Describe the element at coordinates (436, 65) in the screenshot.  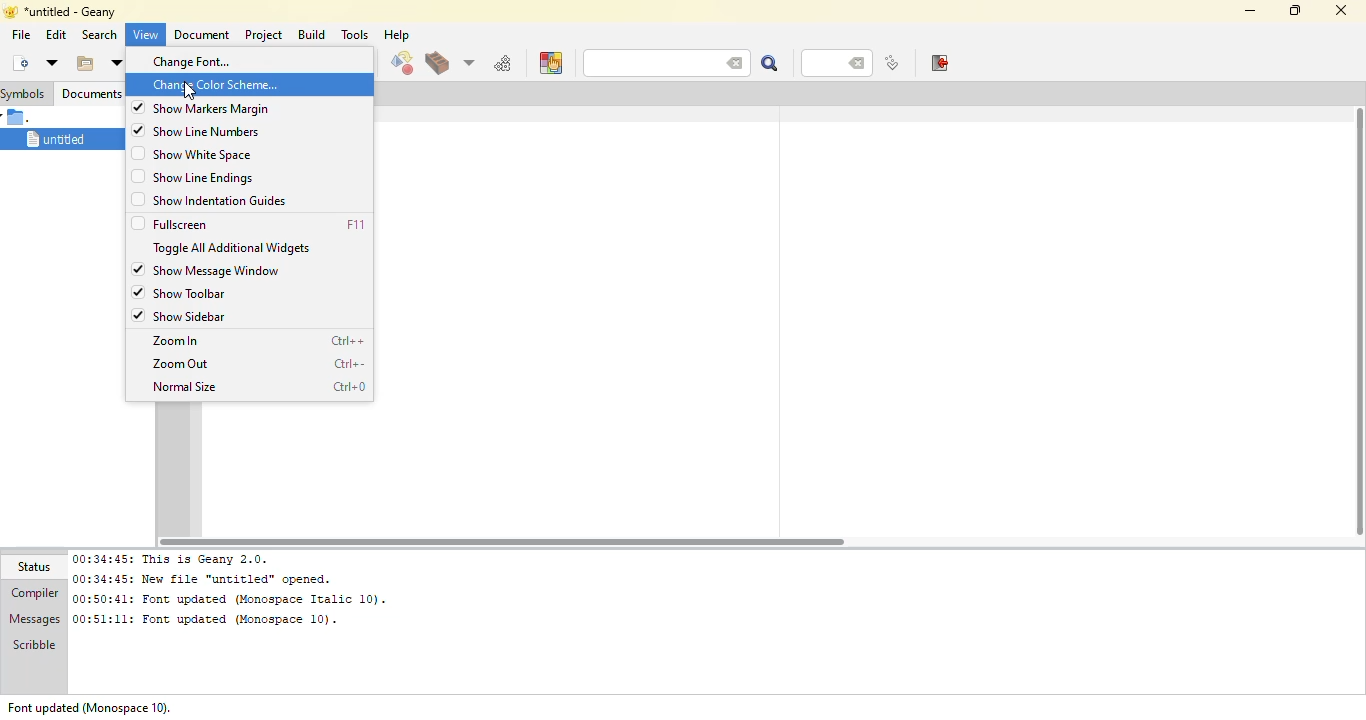
I see `build` at that location.